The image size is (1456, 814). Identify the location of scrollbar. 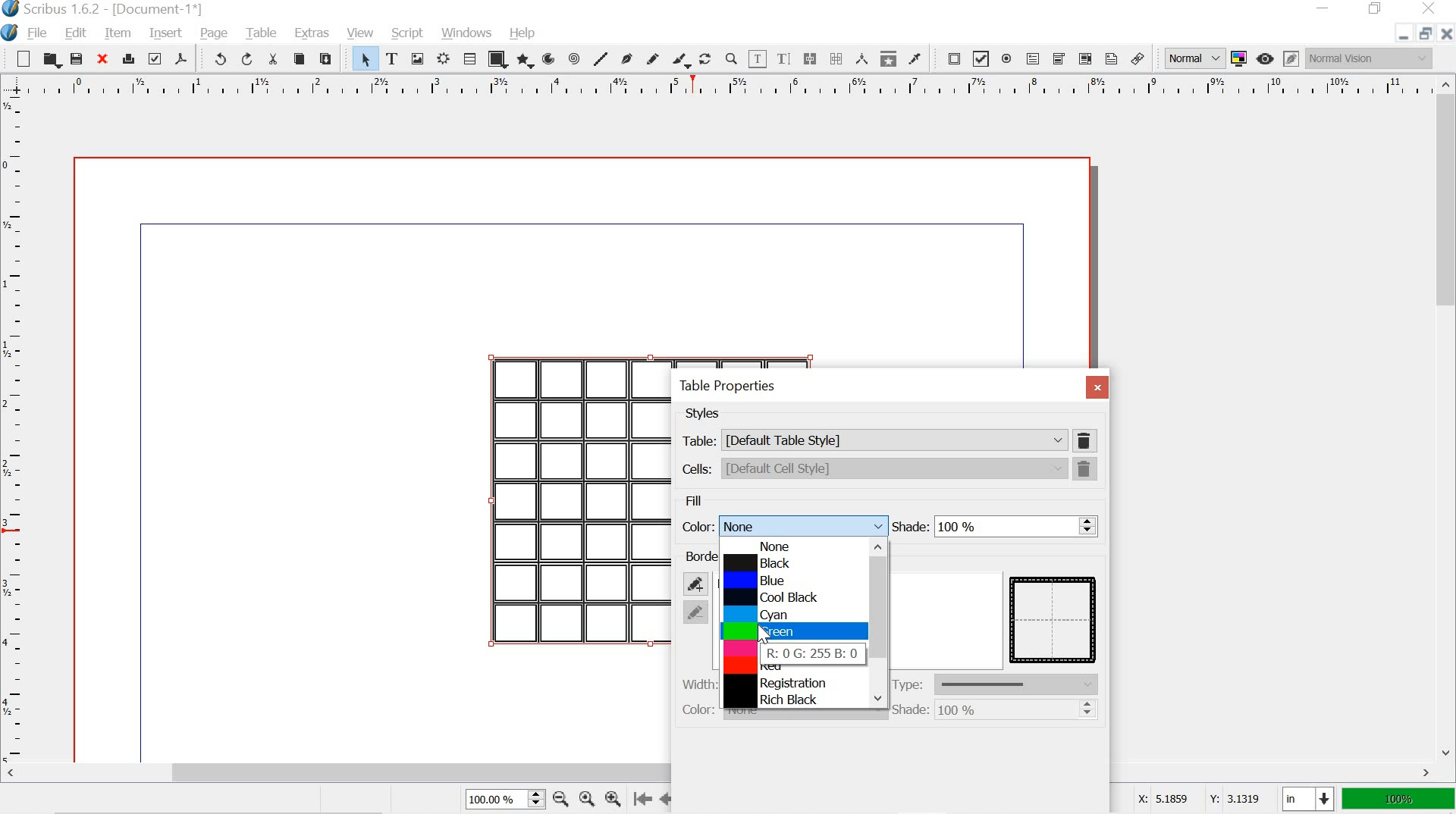
(720, 773).